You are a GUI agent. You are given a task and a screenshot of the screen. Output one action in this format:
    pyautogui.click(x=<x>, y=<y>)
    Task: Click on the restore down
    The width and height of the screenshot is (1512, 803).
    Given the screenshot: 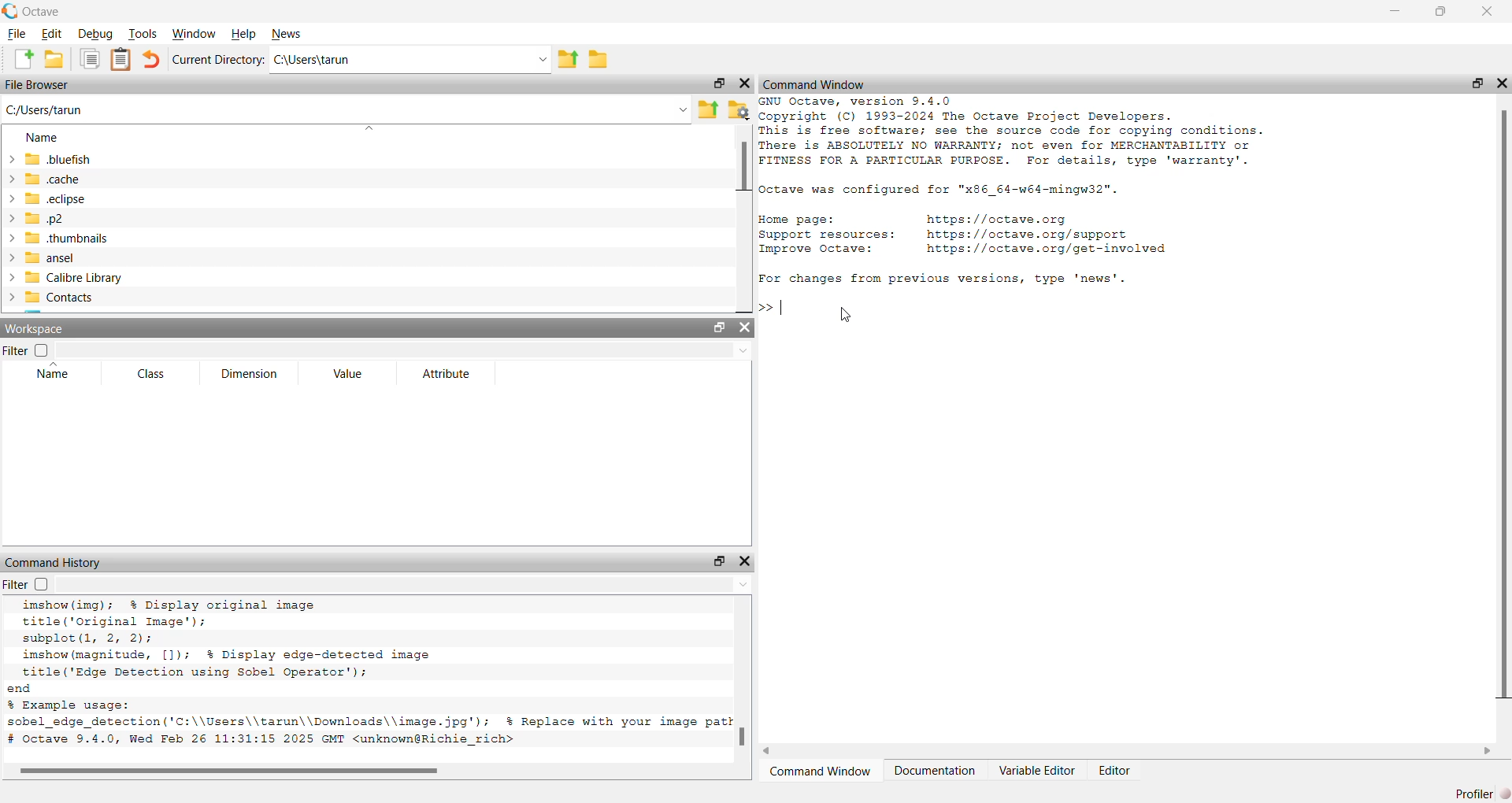 What is the action you would take?
    pyautogui.click(x=717, y=327)
    